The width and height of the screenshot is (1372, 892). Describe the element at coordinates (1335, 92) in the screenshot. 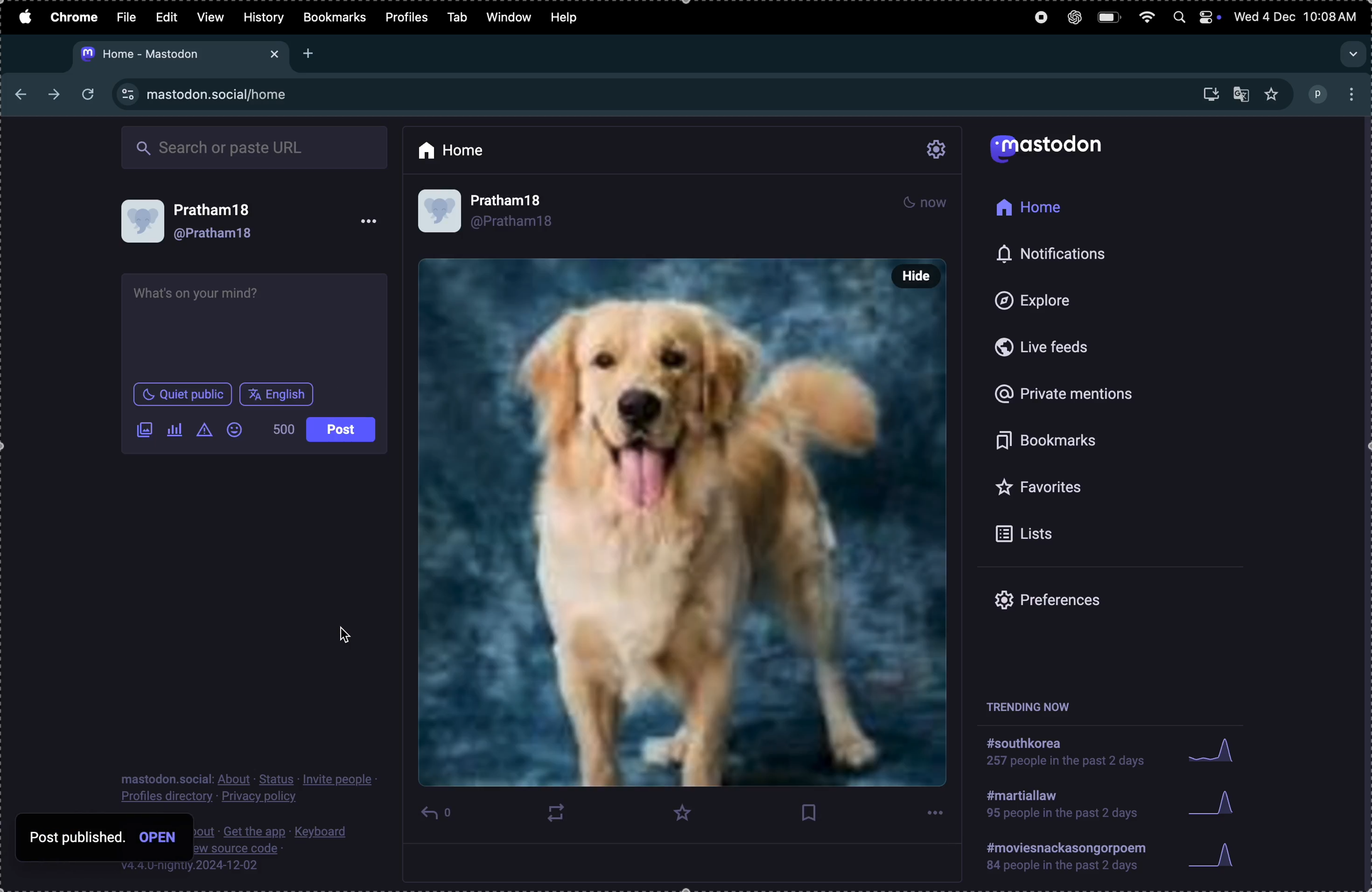

I see `profile` at that location.